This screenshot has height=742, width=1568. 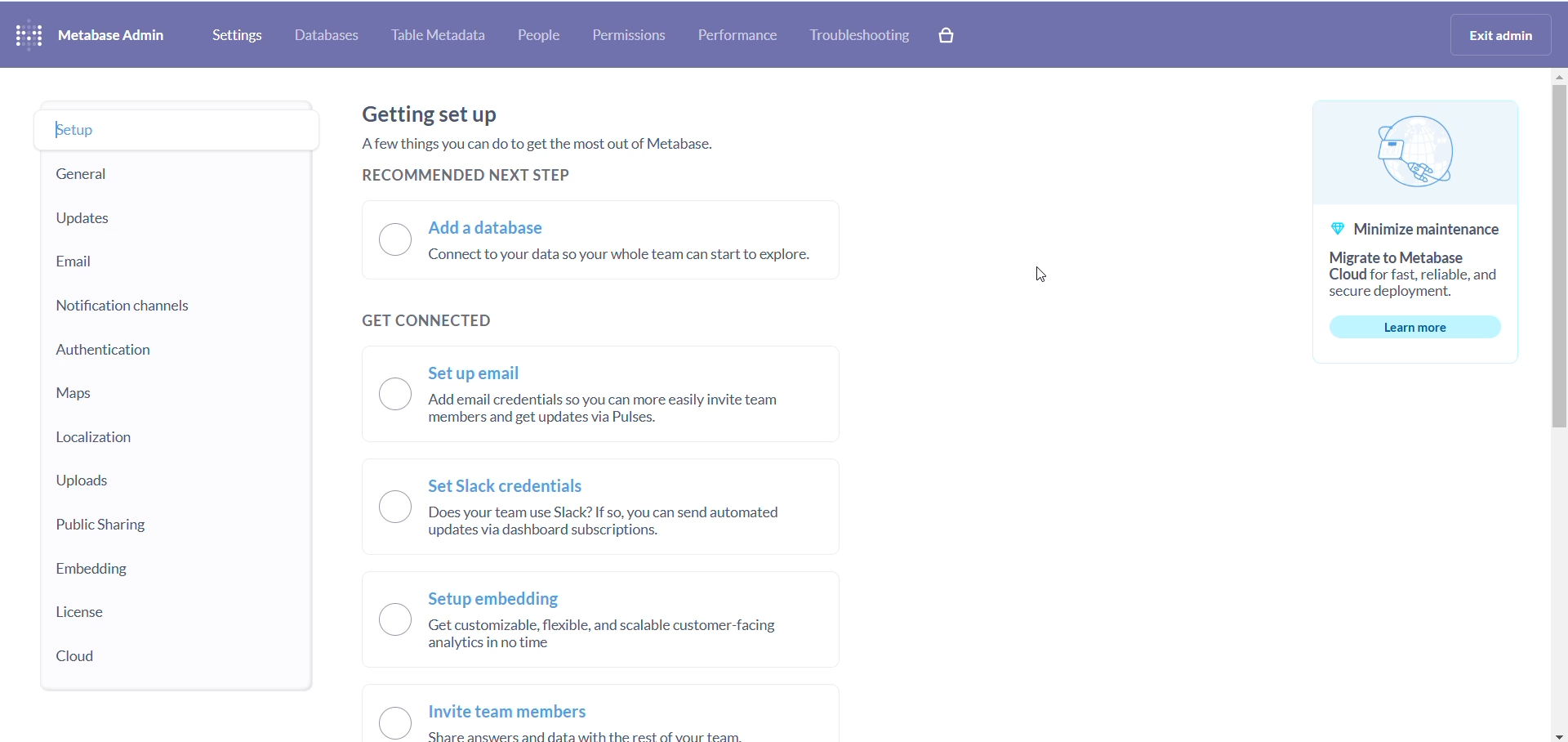 What do you see at coordinates (649, 627) in the screenshot?
I see `Setup embedding Get customizable, flexible, and scalable customer-facing analytics in no time` at bounding box center [649, 627].